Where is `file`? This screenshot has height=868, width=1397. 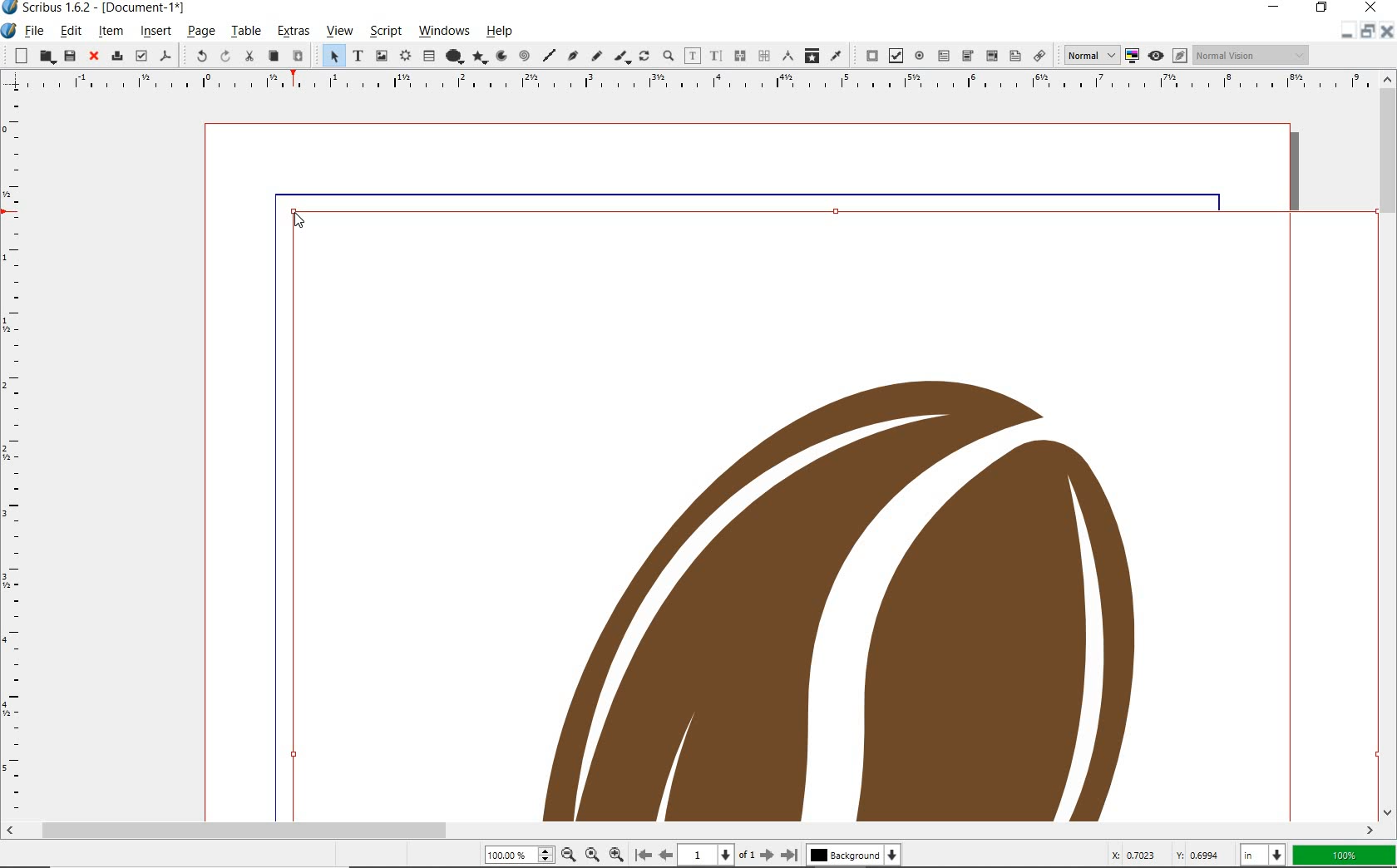 file is located at coordinates (37, 30).